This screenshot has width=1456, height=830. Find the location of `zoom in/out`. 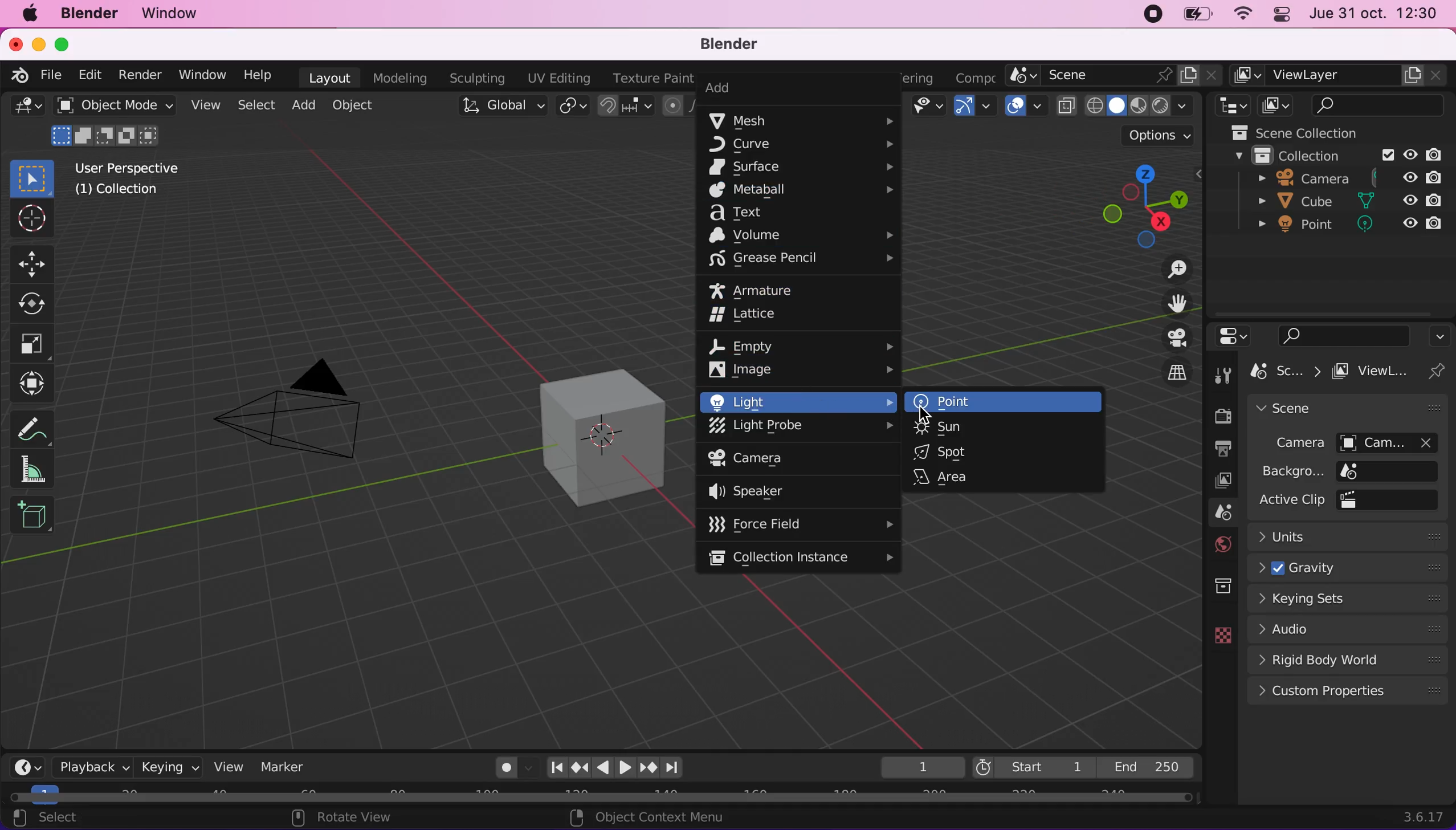

zoom in/out is located at coordinates (1168, 270).